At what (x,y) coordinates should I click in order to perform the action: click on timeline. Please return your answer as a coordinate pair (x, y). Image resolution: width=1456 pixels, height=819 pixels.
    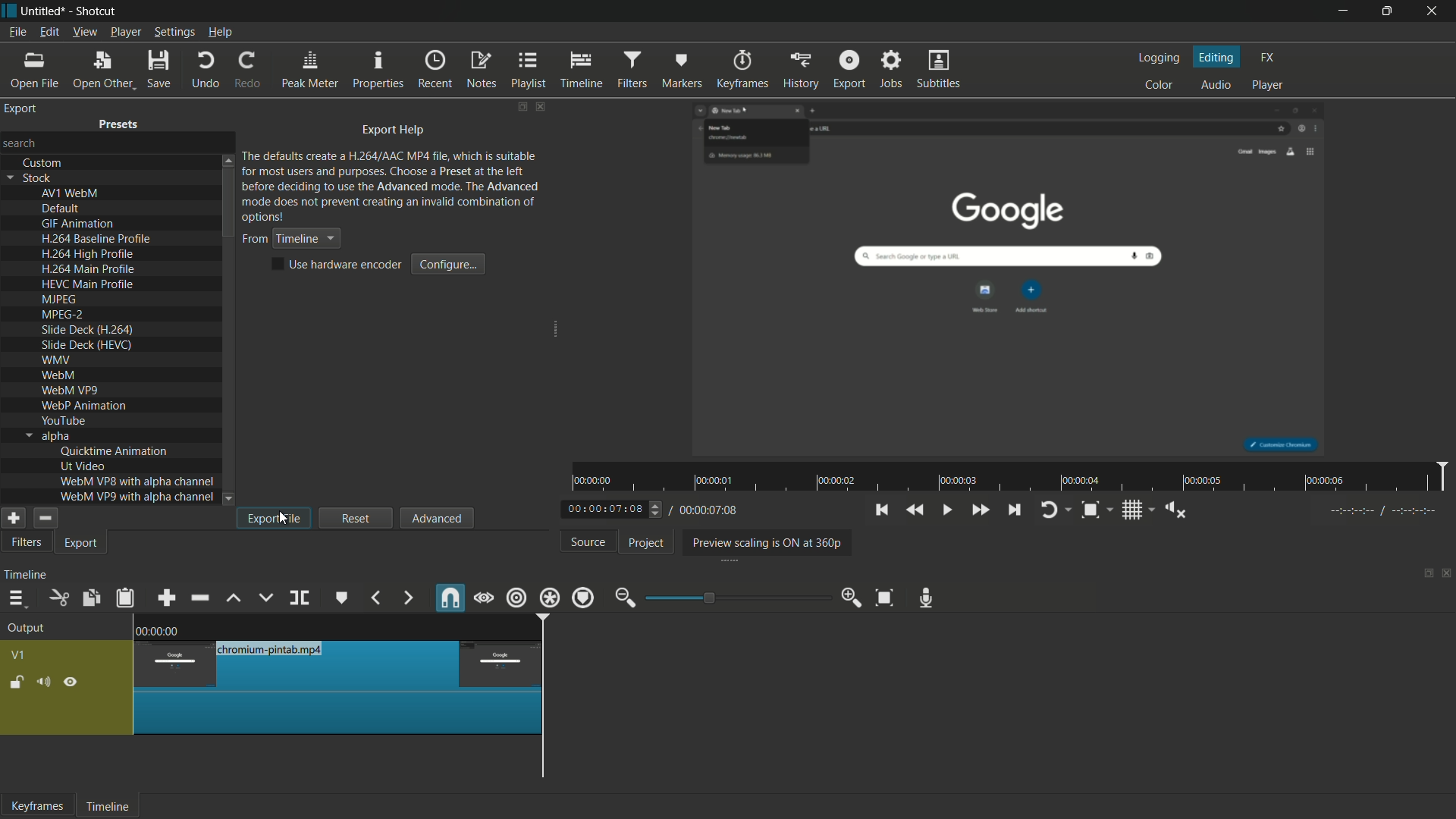
    Looking at the image, I should click on (582, 70).